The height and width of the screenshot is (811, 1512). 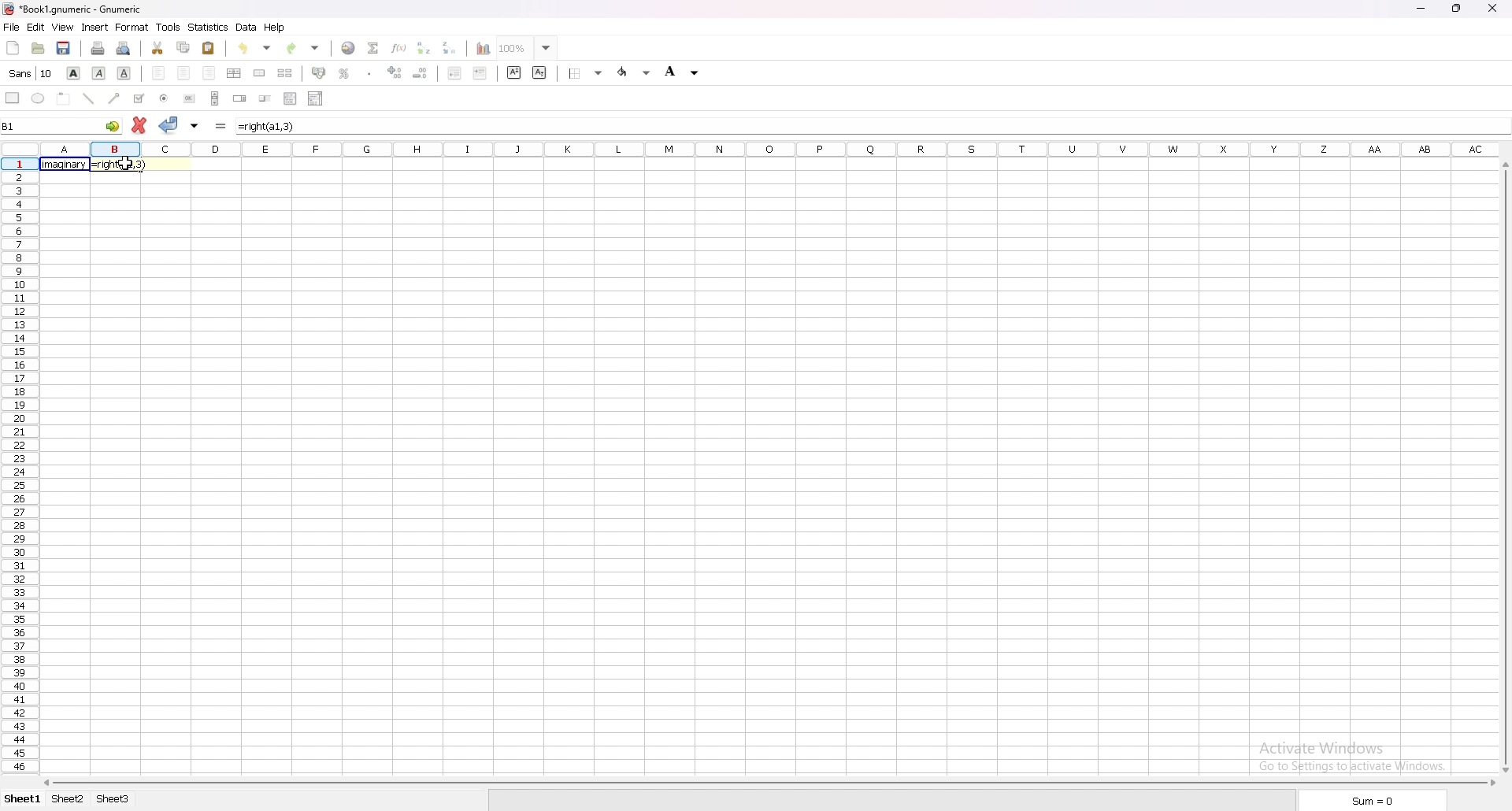 I want to click on sheet 3, so click(x=113, y=800).